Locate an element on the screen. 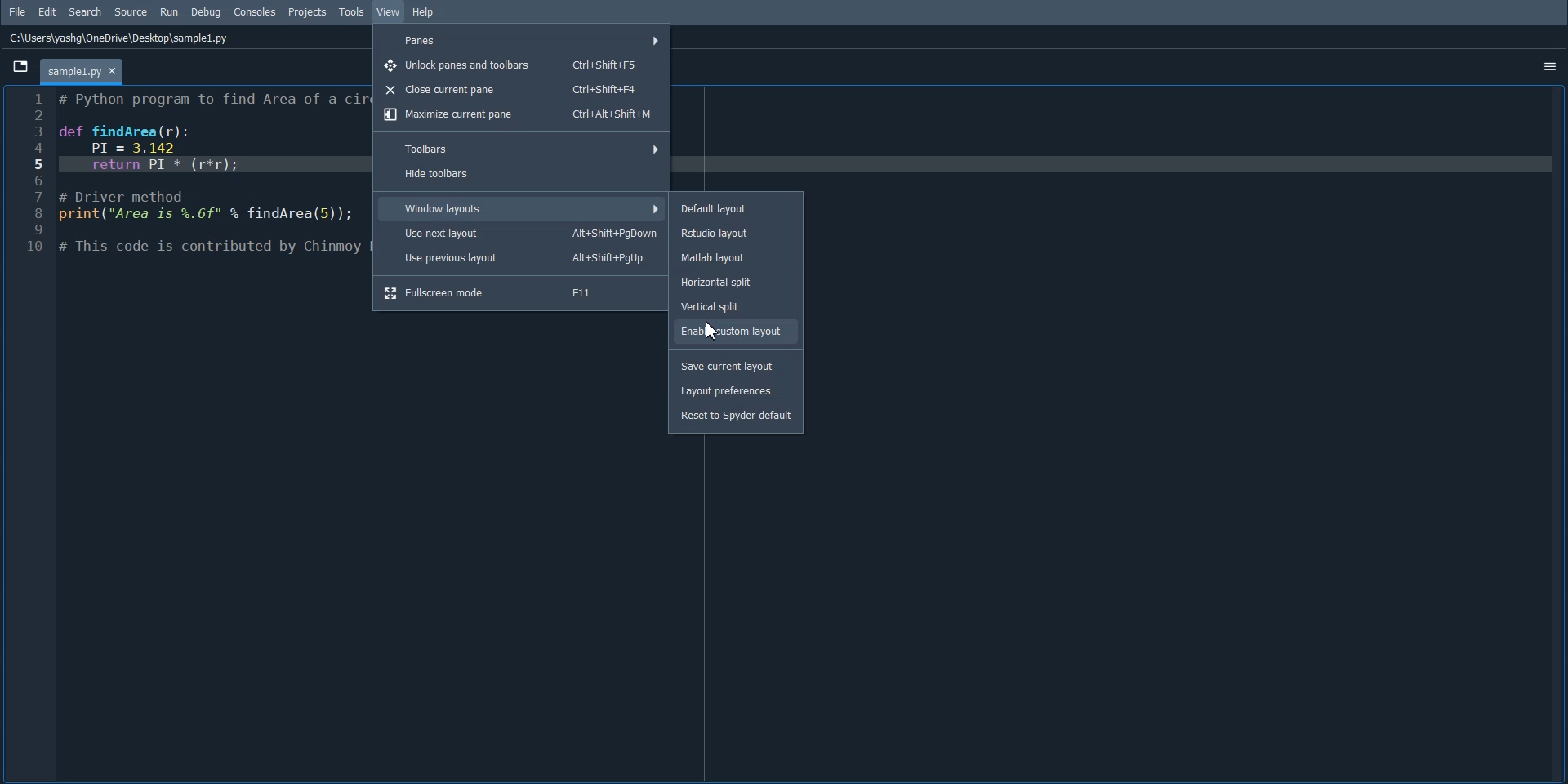  Save current layout is located at coordinates (737, 366).